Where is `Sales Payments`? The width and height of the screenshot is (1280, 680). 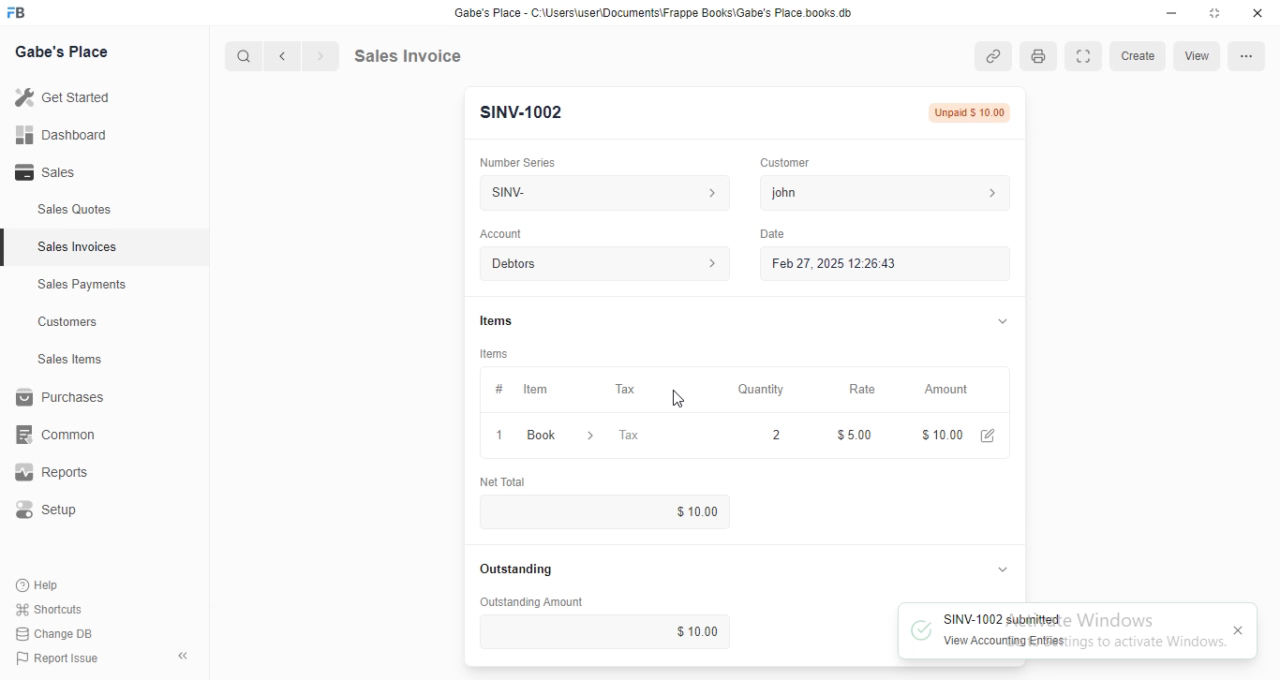 Sales Payments is located at coordinates (82, 285).